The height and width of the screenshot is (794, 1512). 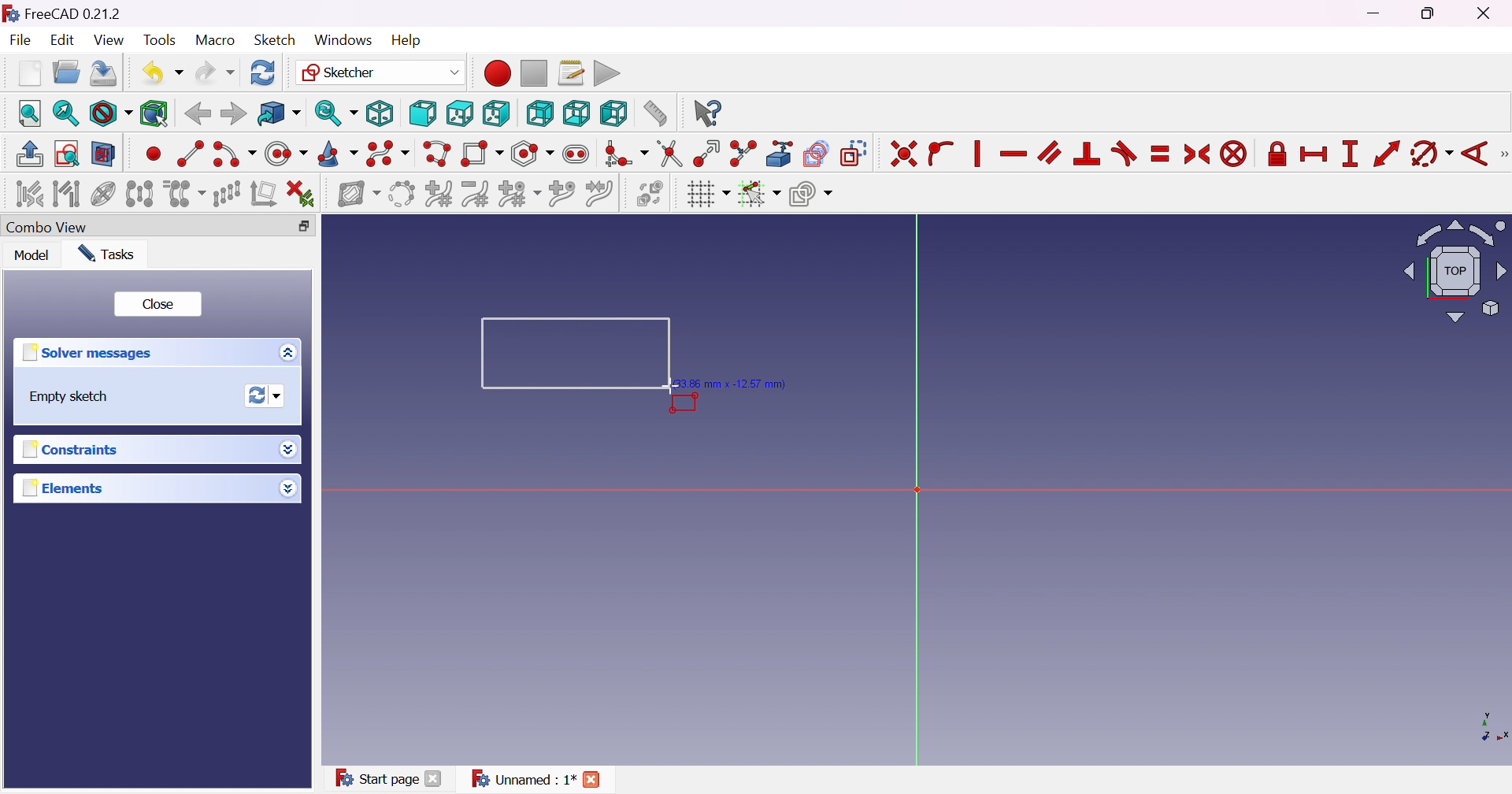 What do you see at coordinates (338, 154) in the screenshot?
I see `Create conic` at bounding box center [338, 154].